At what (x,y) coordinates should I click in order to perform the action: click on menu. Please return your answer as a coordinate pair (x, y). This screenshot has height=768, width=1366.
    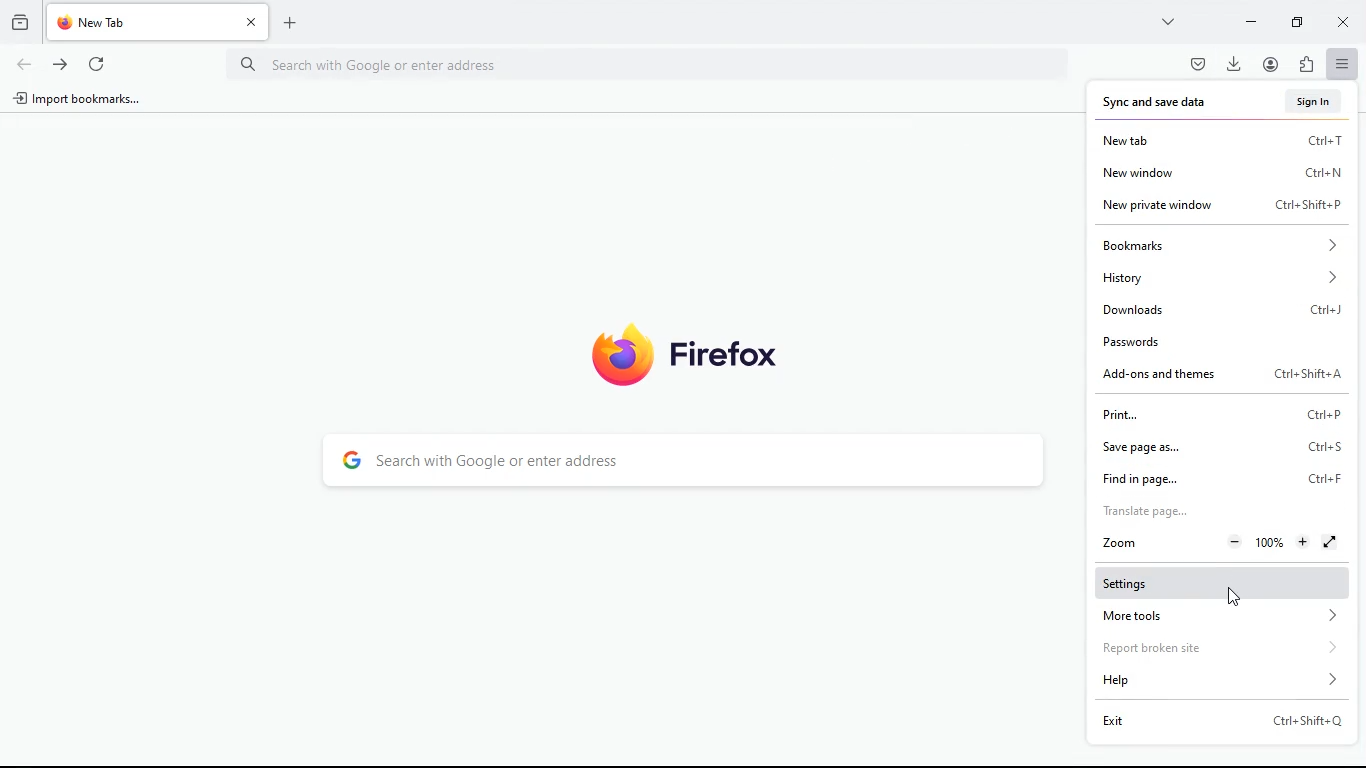
    Looking at the image, I should click on (1343, 64).